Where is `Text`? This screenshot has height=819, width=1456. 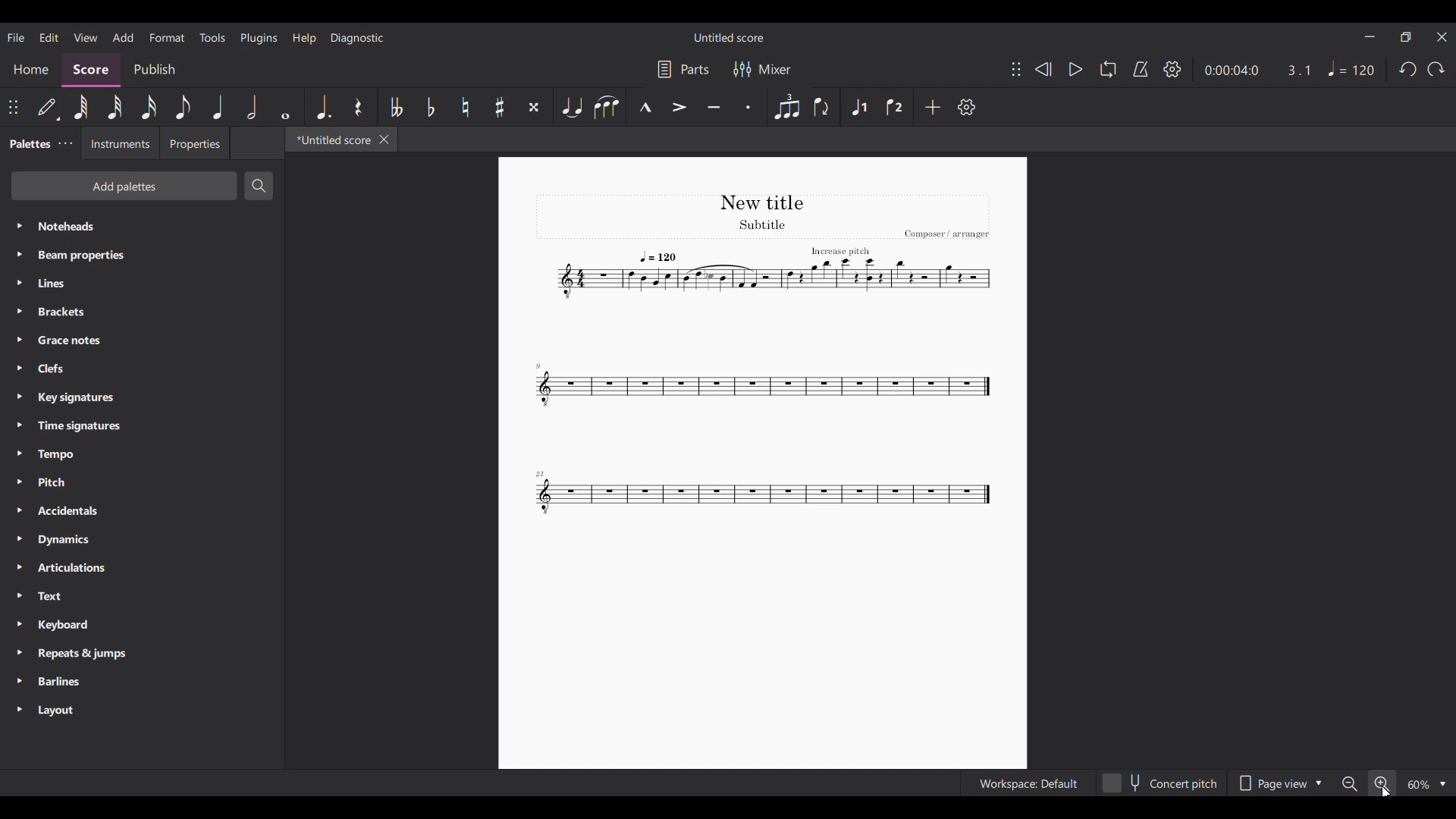 Text is located at coordinates (142, 596).